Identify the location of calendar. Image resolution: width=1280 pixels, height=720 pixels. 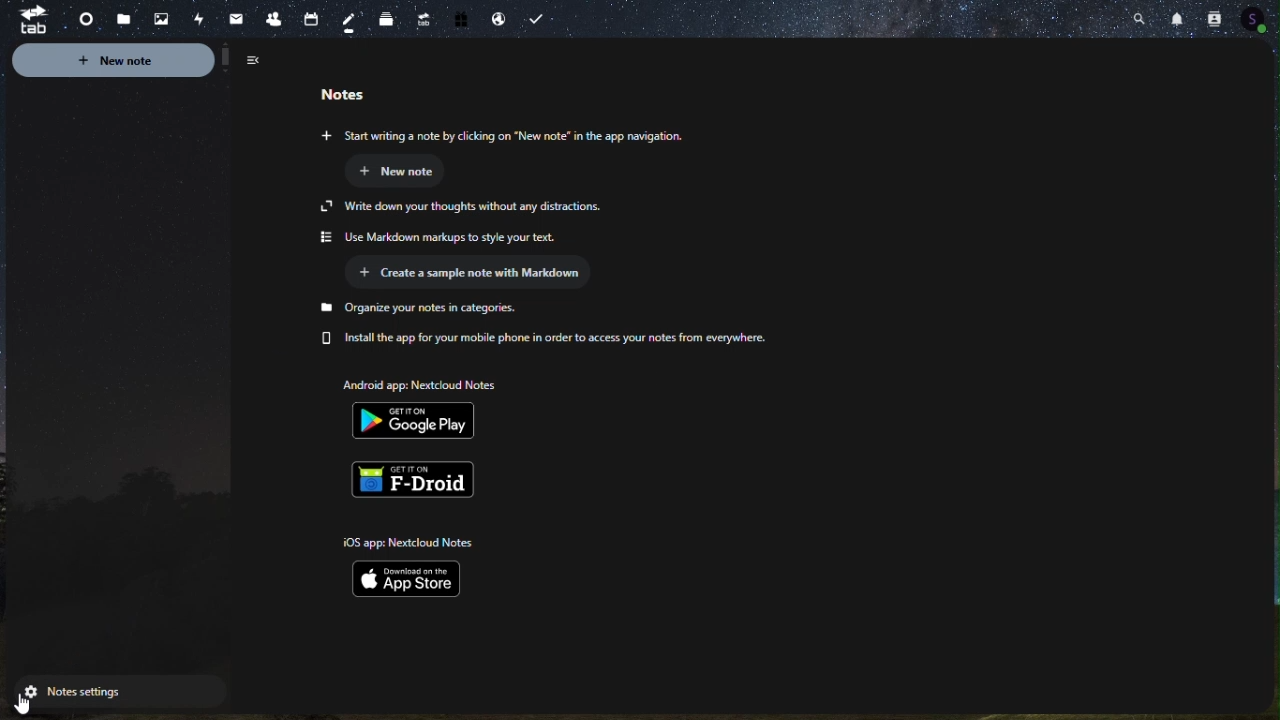
(310, 14).